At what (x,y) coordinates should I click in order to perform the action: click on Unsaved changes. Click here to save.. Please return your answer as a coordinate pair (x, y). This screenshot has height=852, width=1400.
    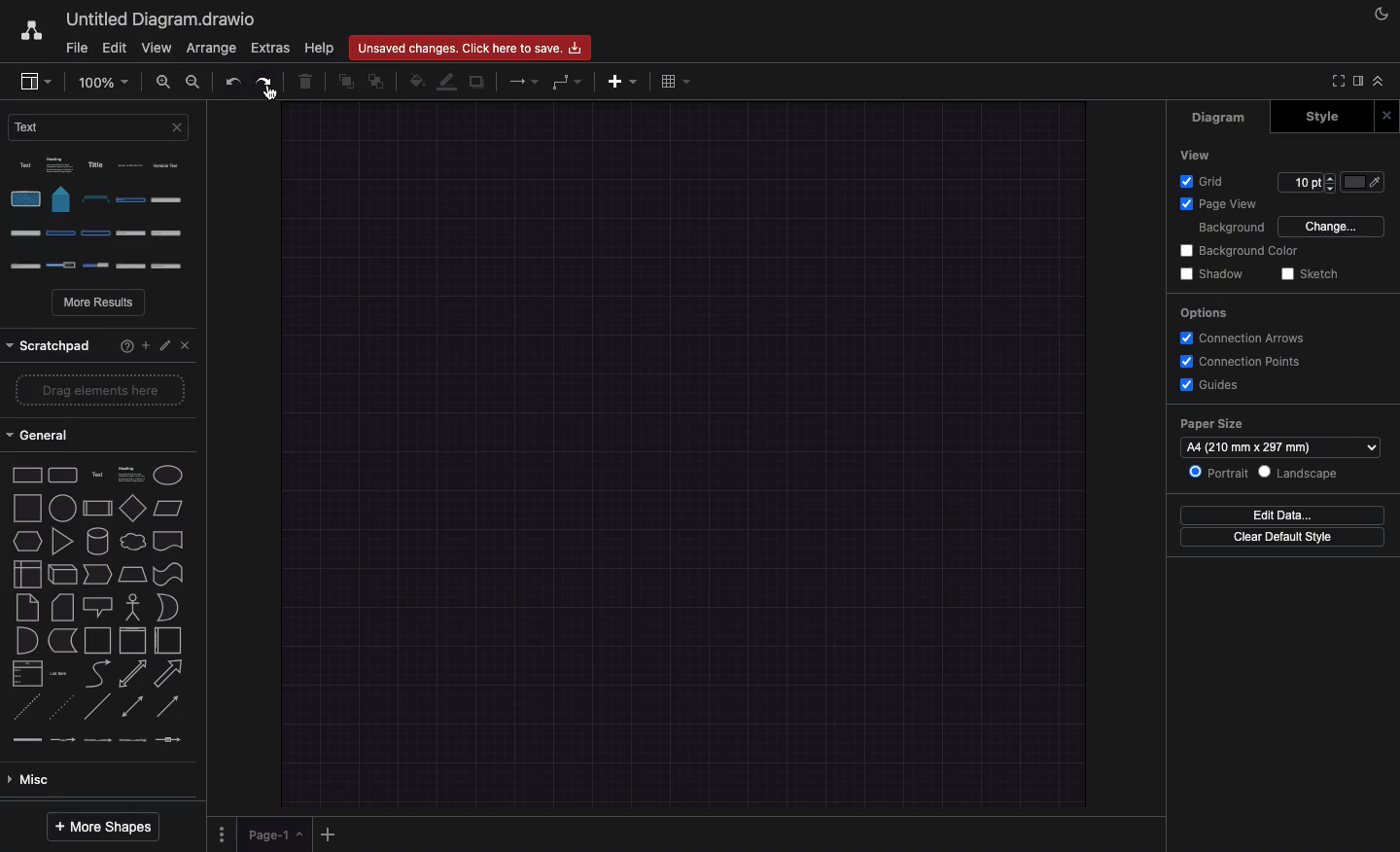
    Looking at the image, I should click on (472, 45).